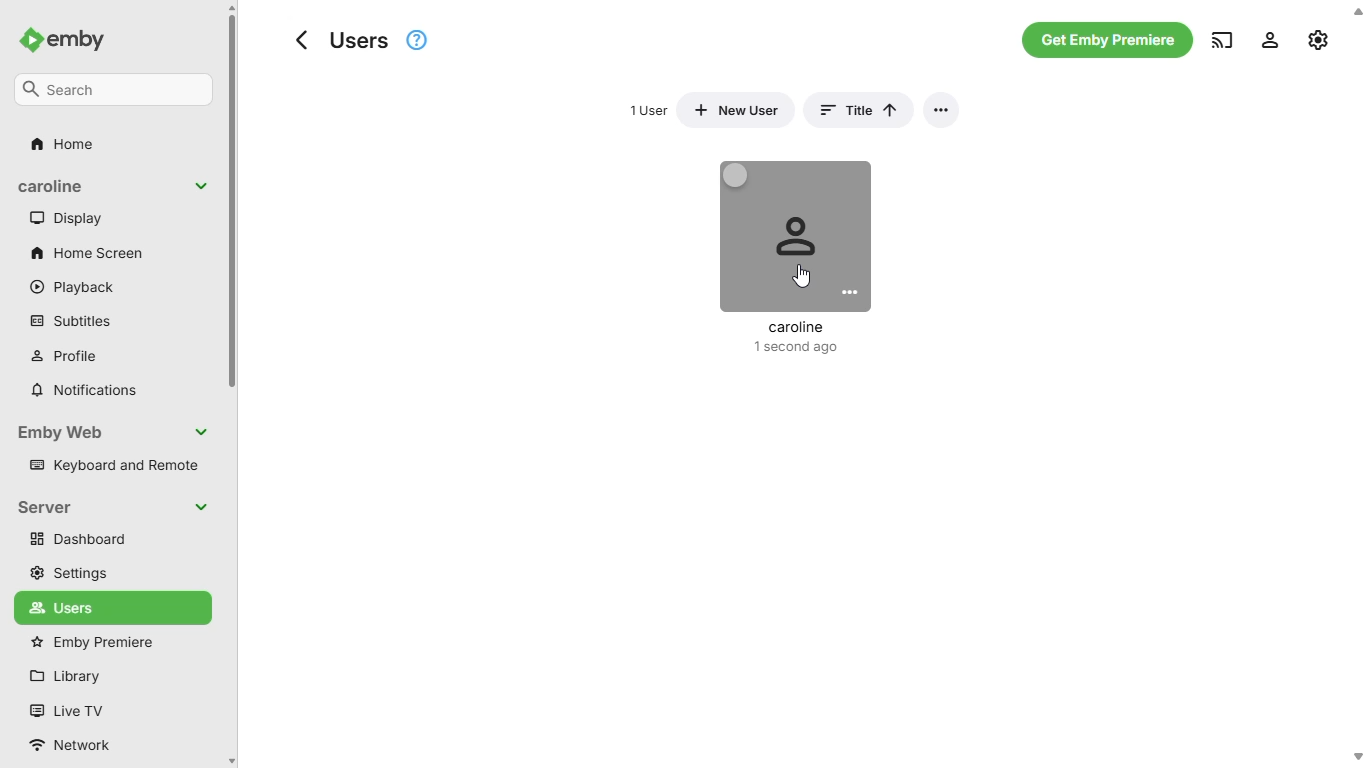 This screenshot has width=1366, height=768. What do you see at coordinates (70, 146) in the screenshot?
I see `home` at bounding box center [70, 146].